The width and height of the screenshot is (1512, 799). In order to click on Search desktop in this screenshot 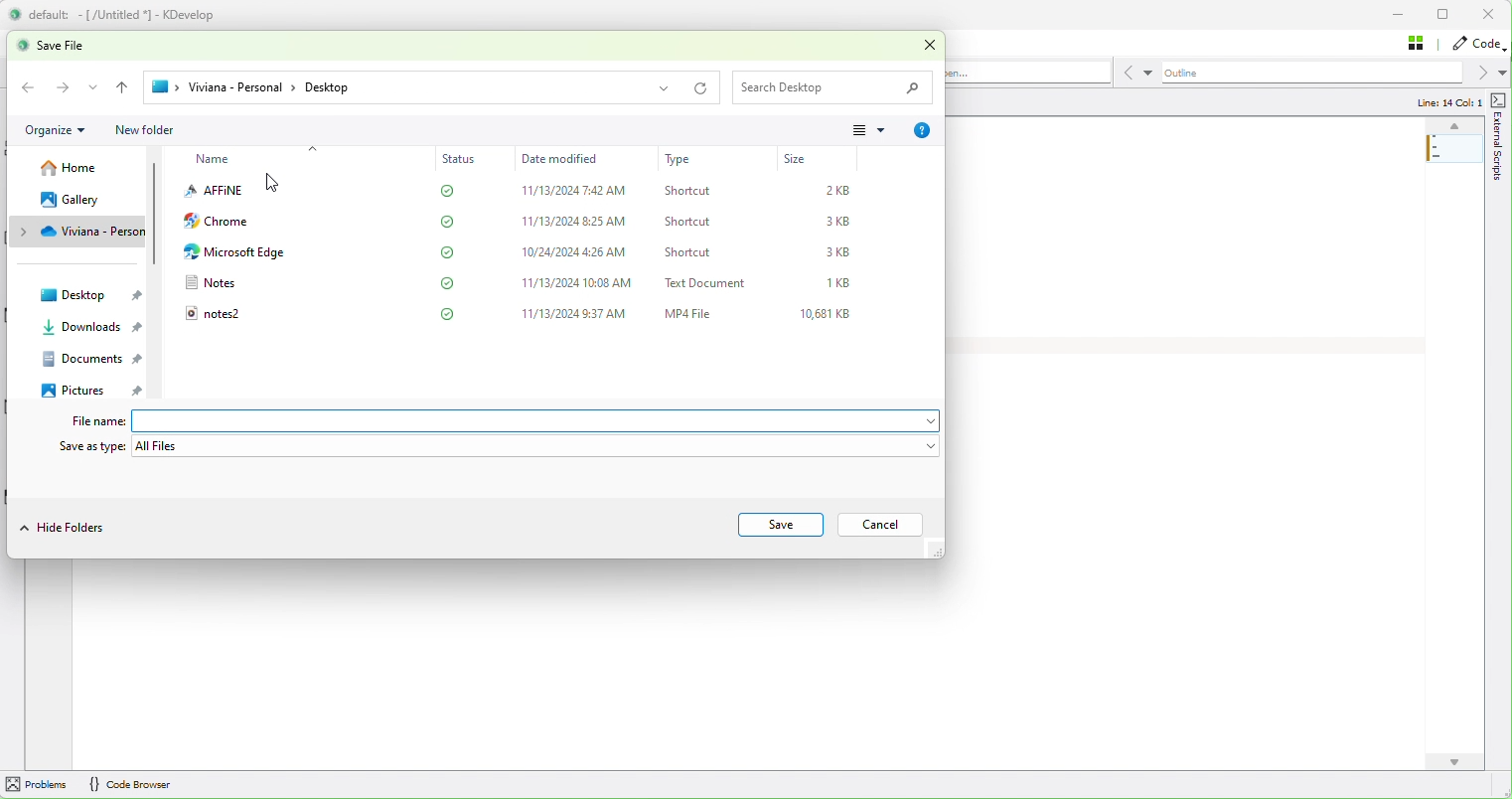, I will do `click(835, 86)`.